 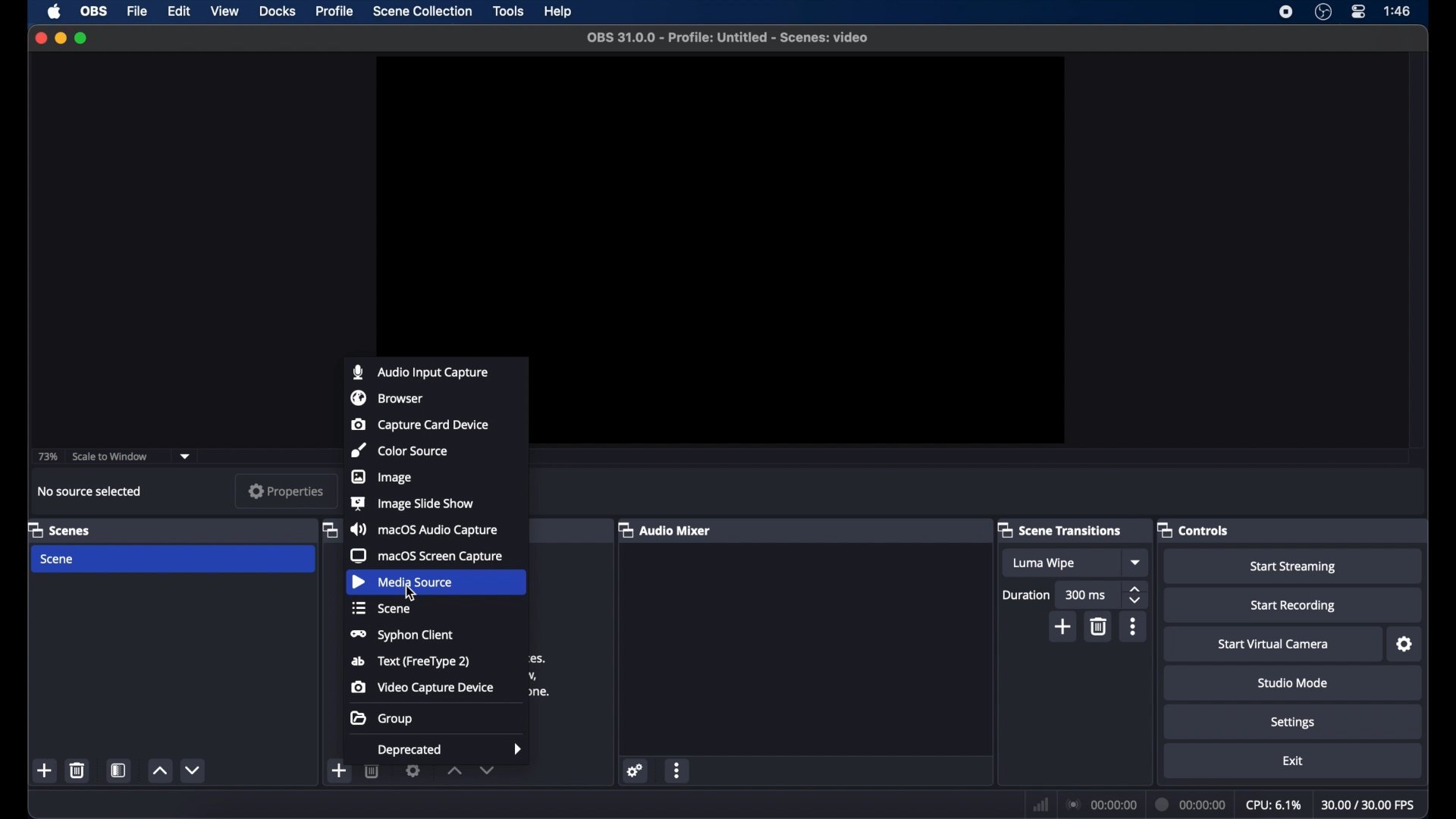 What do you see at coordinates (118, 770) in the screenshot?
I see `scene filters` at bounding box center [118, 770].